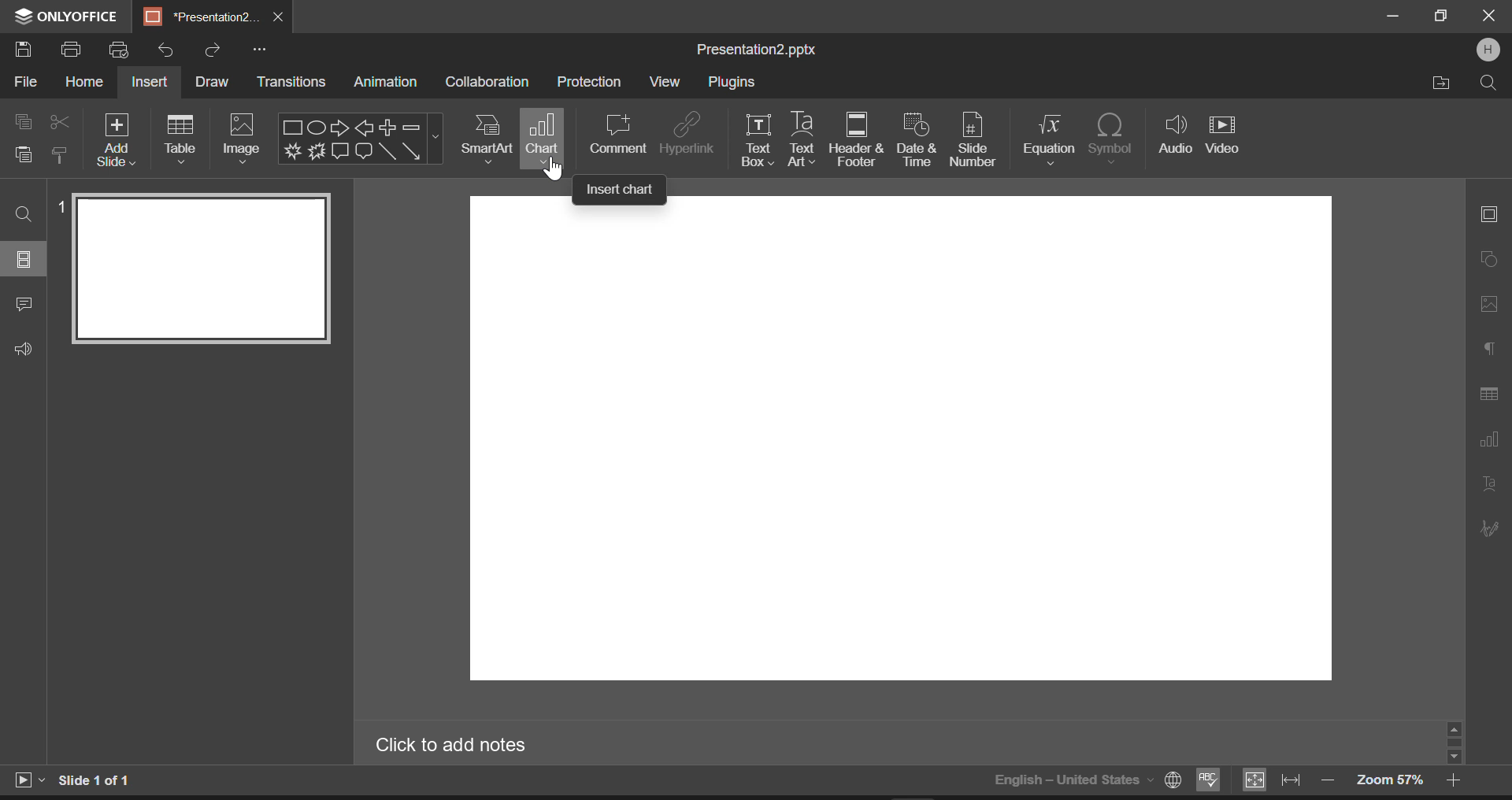  I want to click on *Presentation2.pptx, so click(201, 17).